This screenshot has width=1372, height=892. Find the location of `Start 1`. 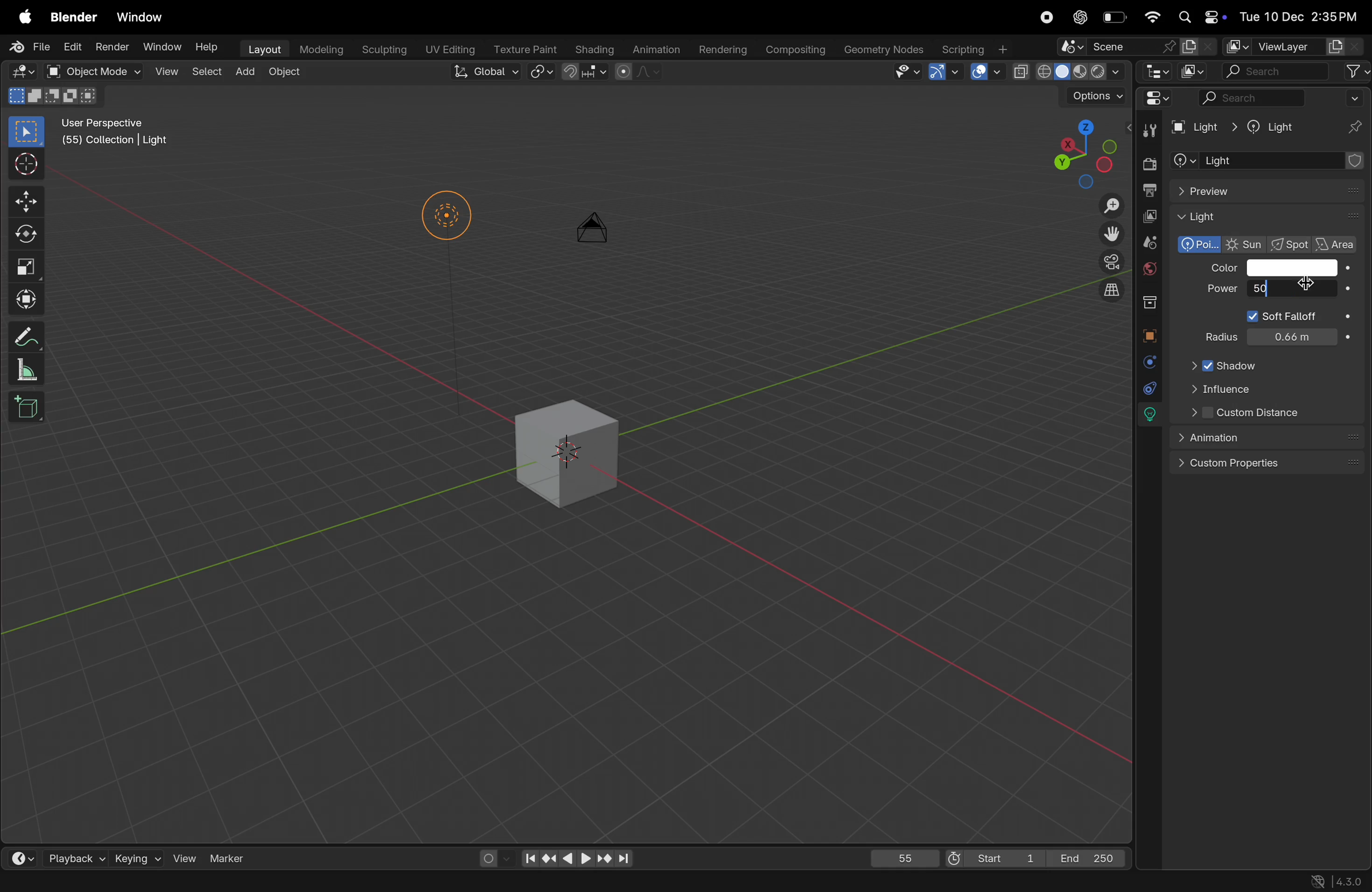

Start 1 is located at coordinates (993, 856).